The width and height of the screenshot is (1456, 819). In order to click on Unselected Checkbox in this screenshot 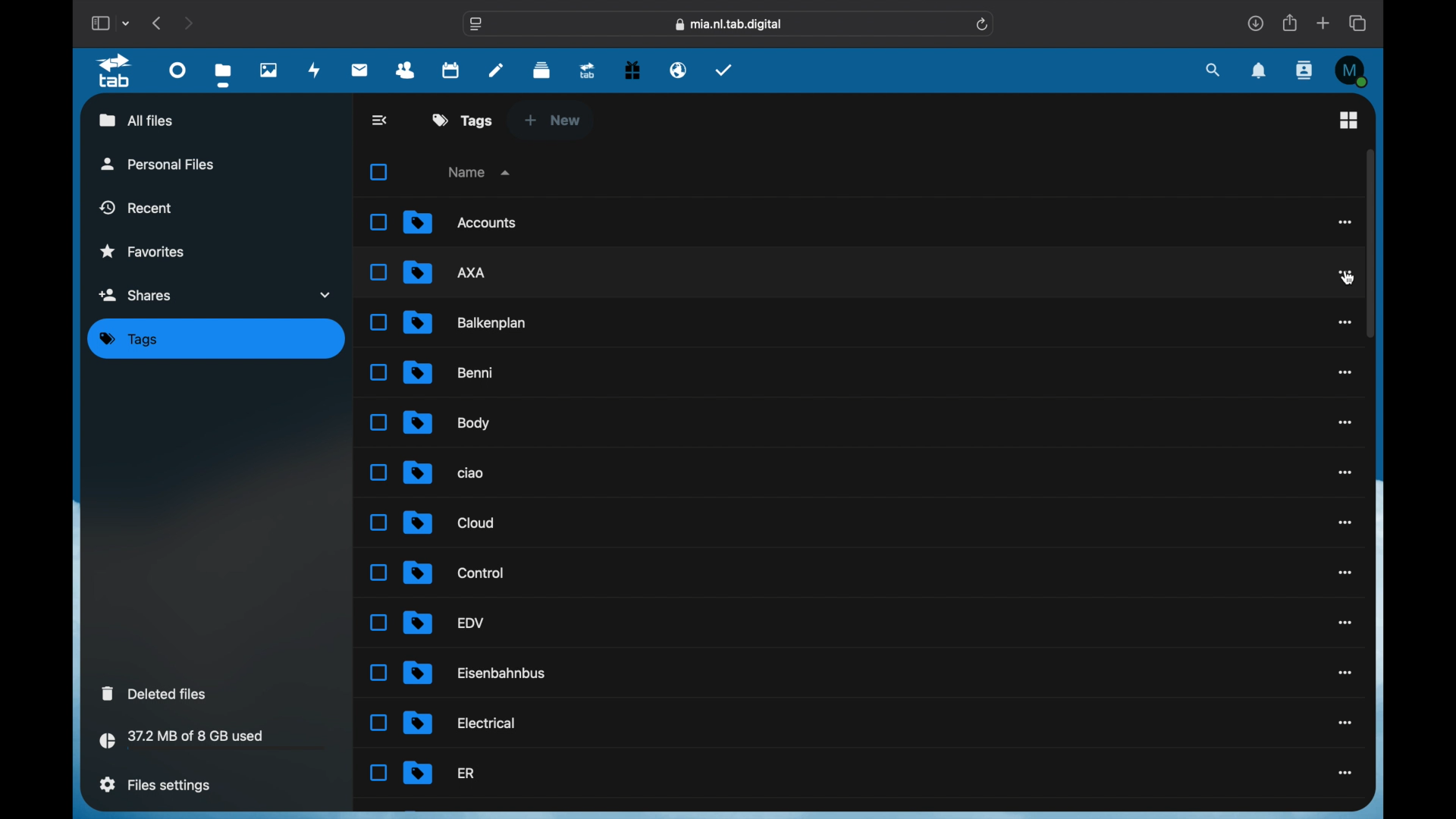, I will do `click(378, 472)`.